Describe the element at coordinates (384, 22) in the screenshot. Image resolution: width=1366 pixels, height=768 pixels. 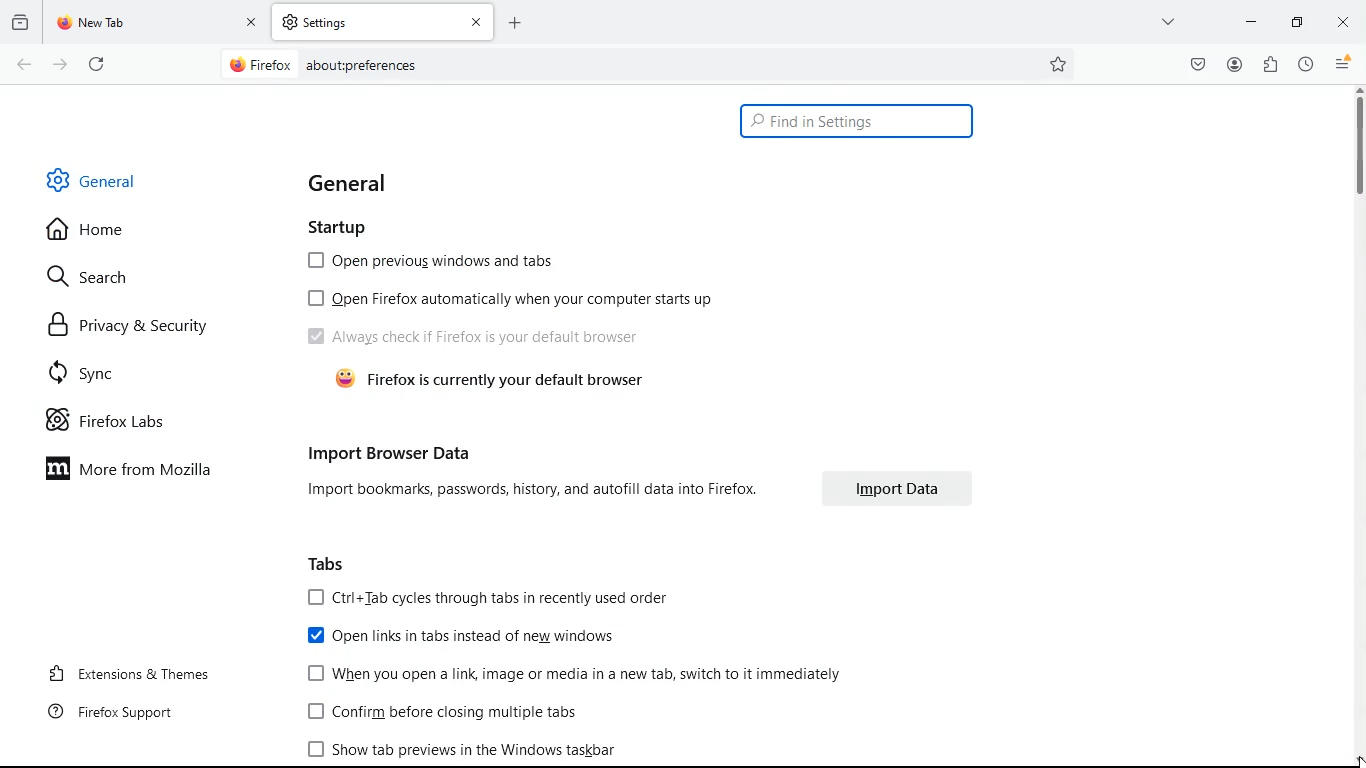
I see `tab` at that location.